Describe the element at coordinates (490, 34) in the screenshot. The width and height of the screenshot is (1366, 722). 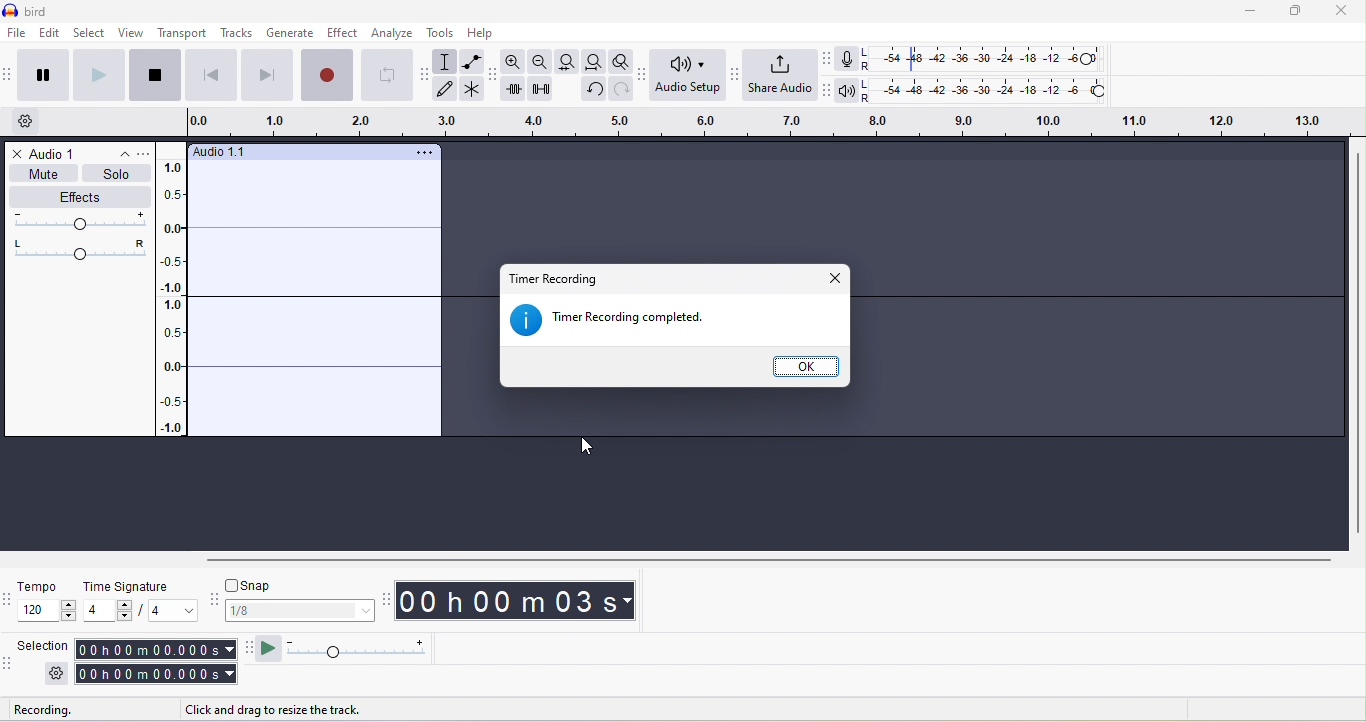
I see `help` at that location.